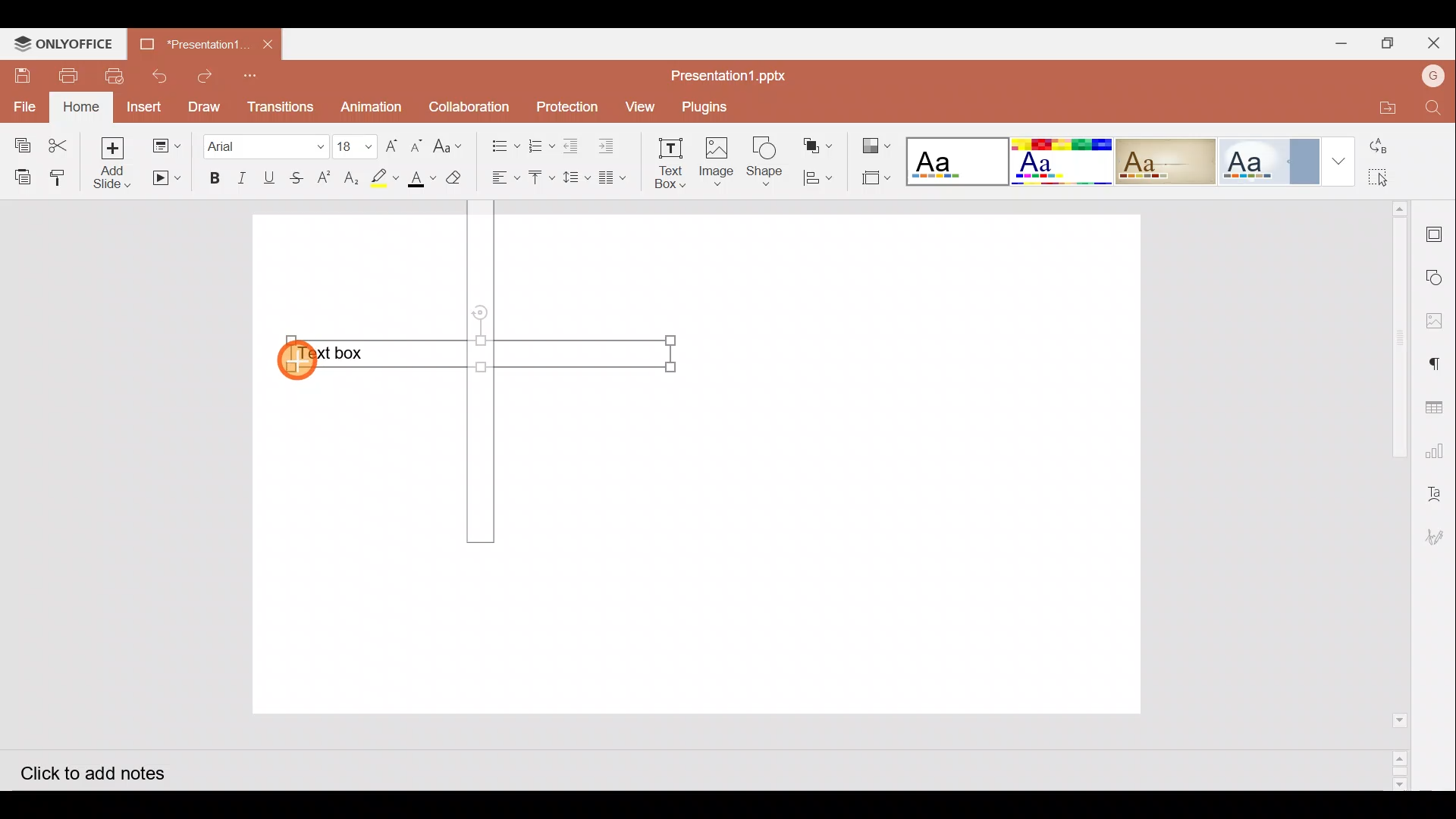  I want to click on ONLYOFFICE, so click(61, 43).